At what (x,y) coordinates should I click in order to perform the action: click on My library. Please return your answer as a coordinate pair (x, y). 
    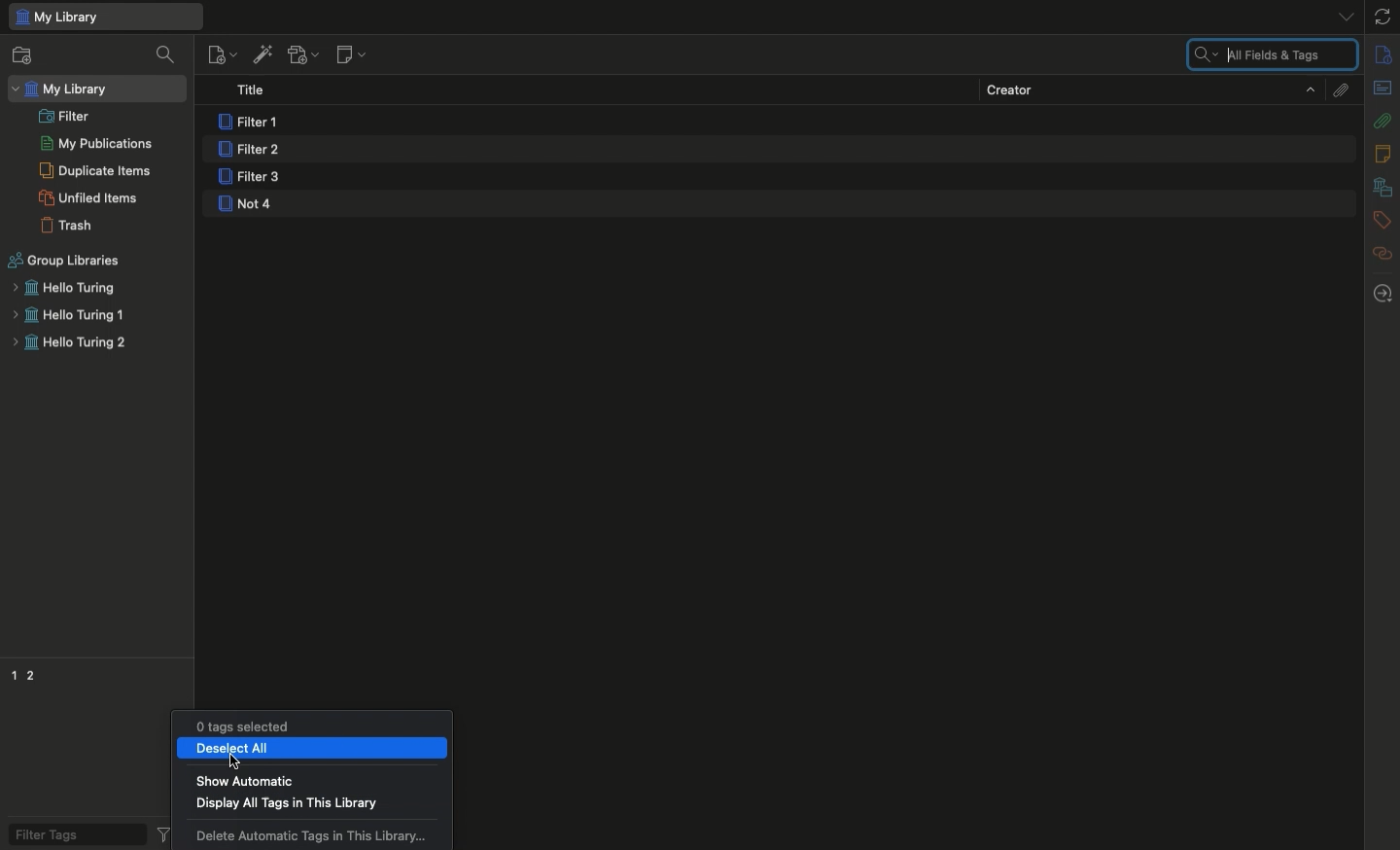
    Looking at the image, I should click on (104, 17).